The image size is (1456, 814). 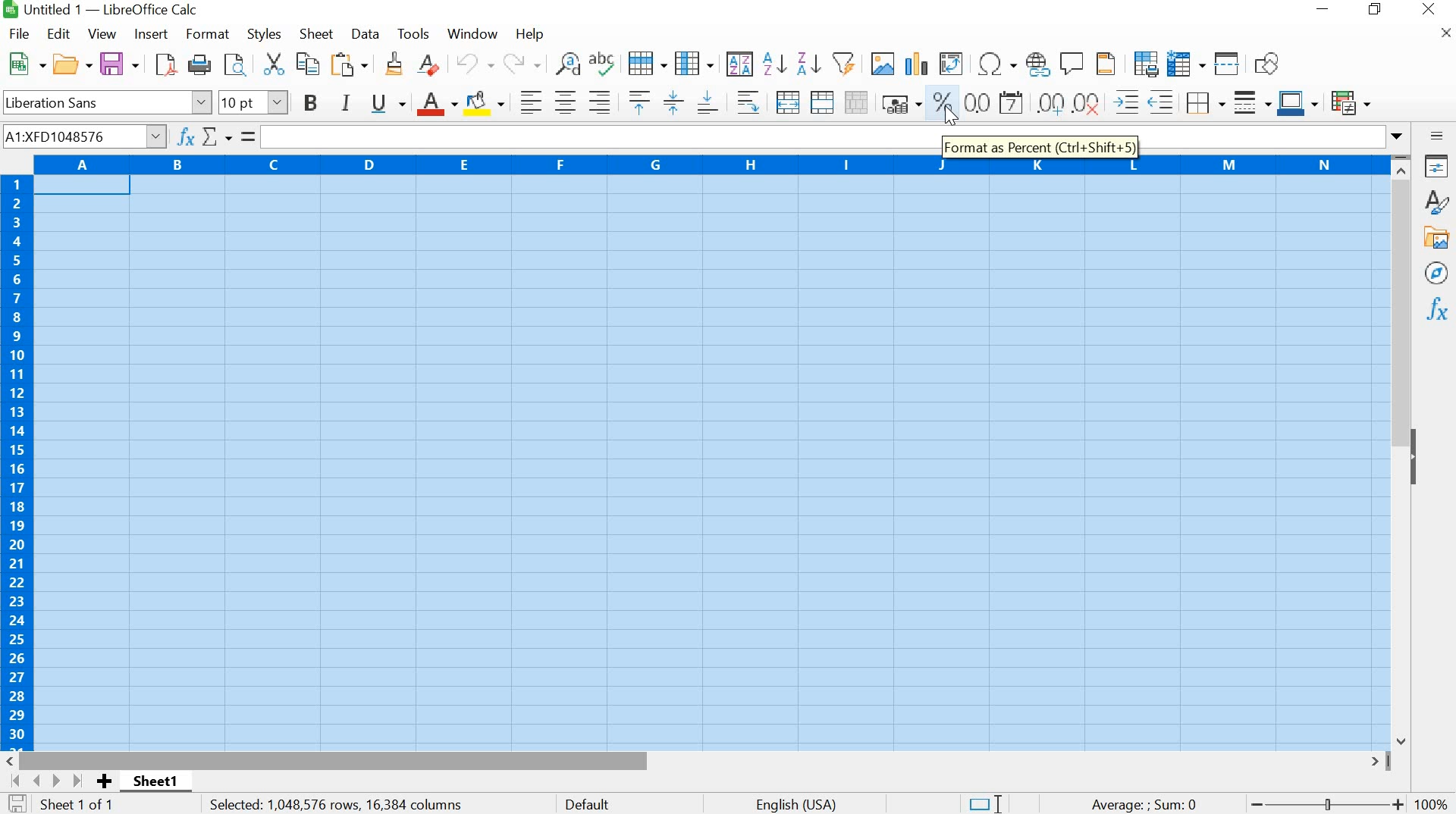 I want to click on Redo, so click(x=522, y=65).